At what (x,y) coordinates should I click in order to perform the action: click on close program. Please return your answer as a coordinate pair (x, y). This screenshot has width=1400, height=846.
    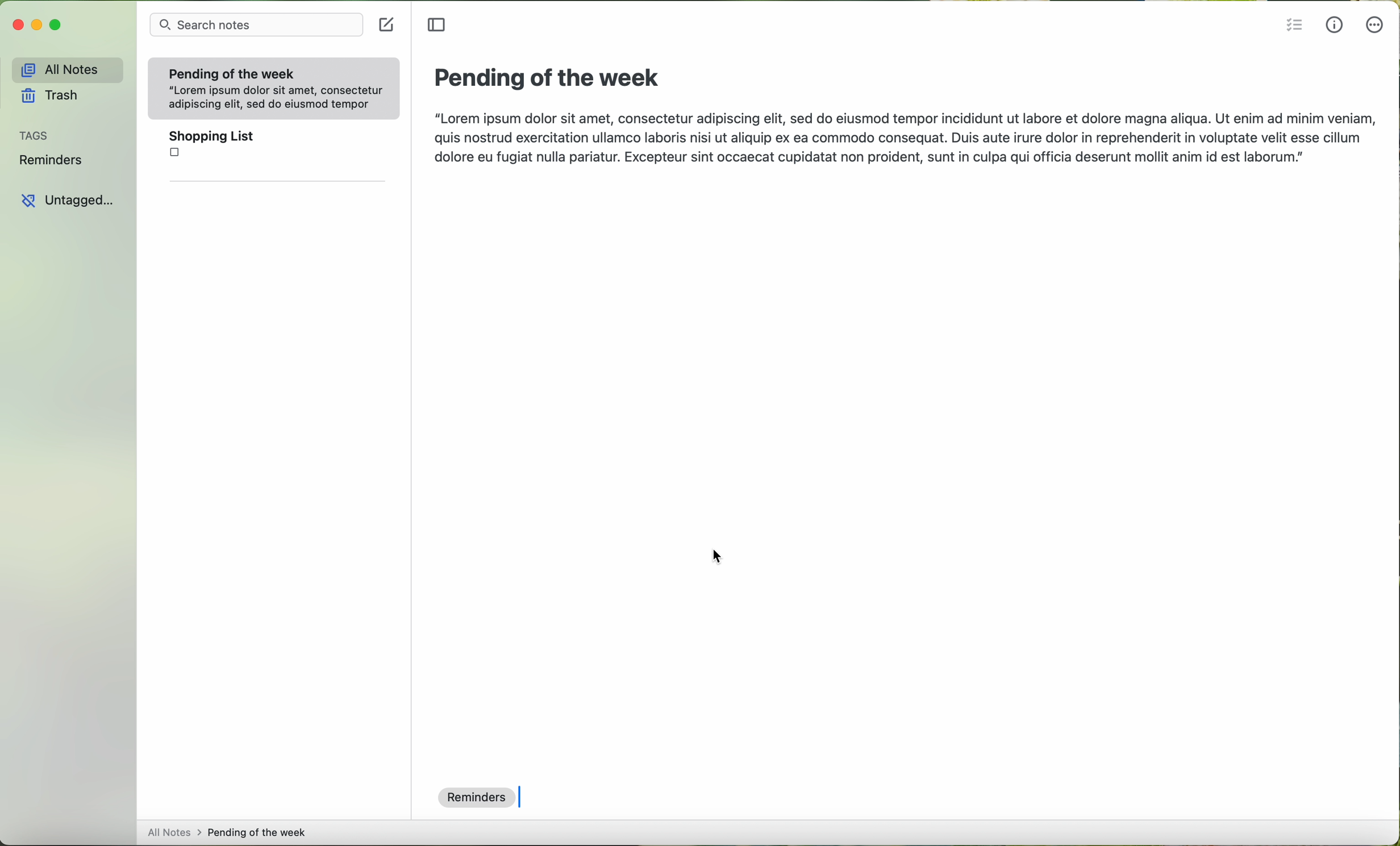
    Looking at the image, I should click on (16, 25).